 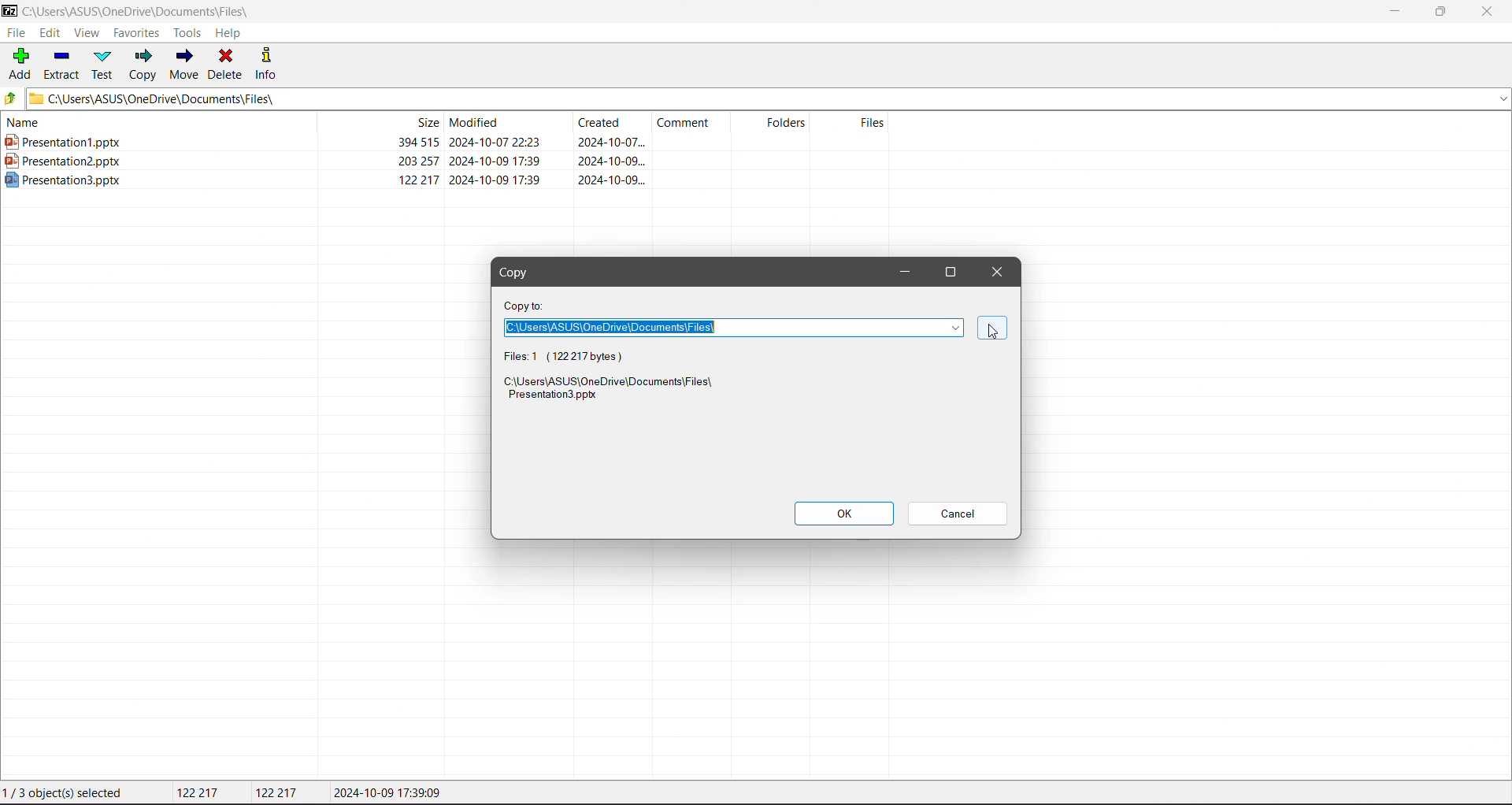 What do you see at coordinates (143, 66) in the screenshot?
I see `Copy` at bounding box center [143, 66].